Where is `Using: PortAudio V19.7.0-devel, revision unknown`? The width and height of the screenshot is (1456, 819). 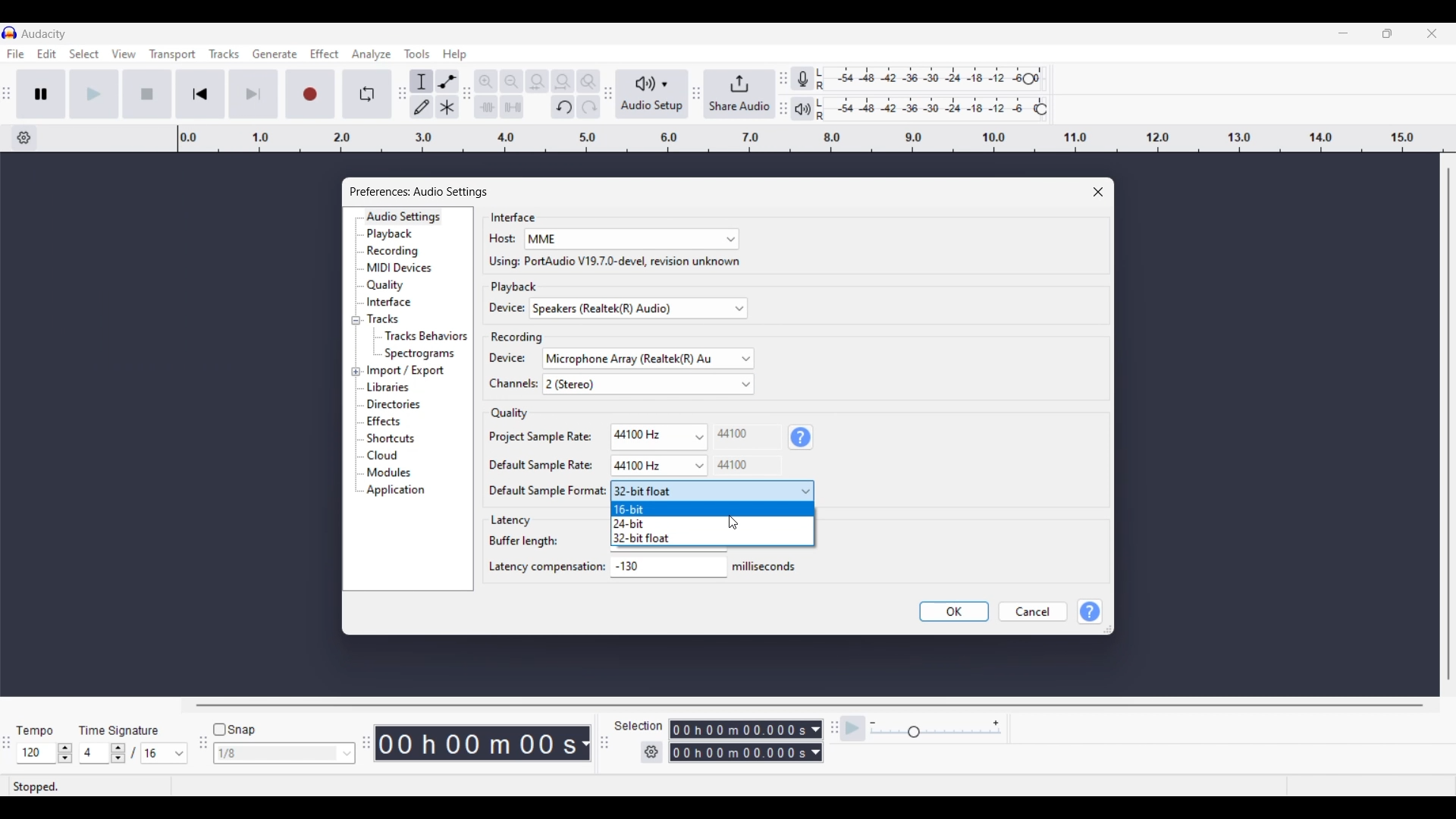 Using: PortAudio V19.7.0-devel, revision unknown is located at coordinates (609, 262).